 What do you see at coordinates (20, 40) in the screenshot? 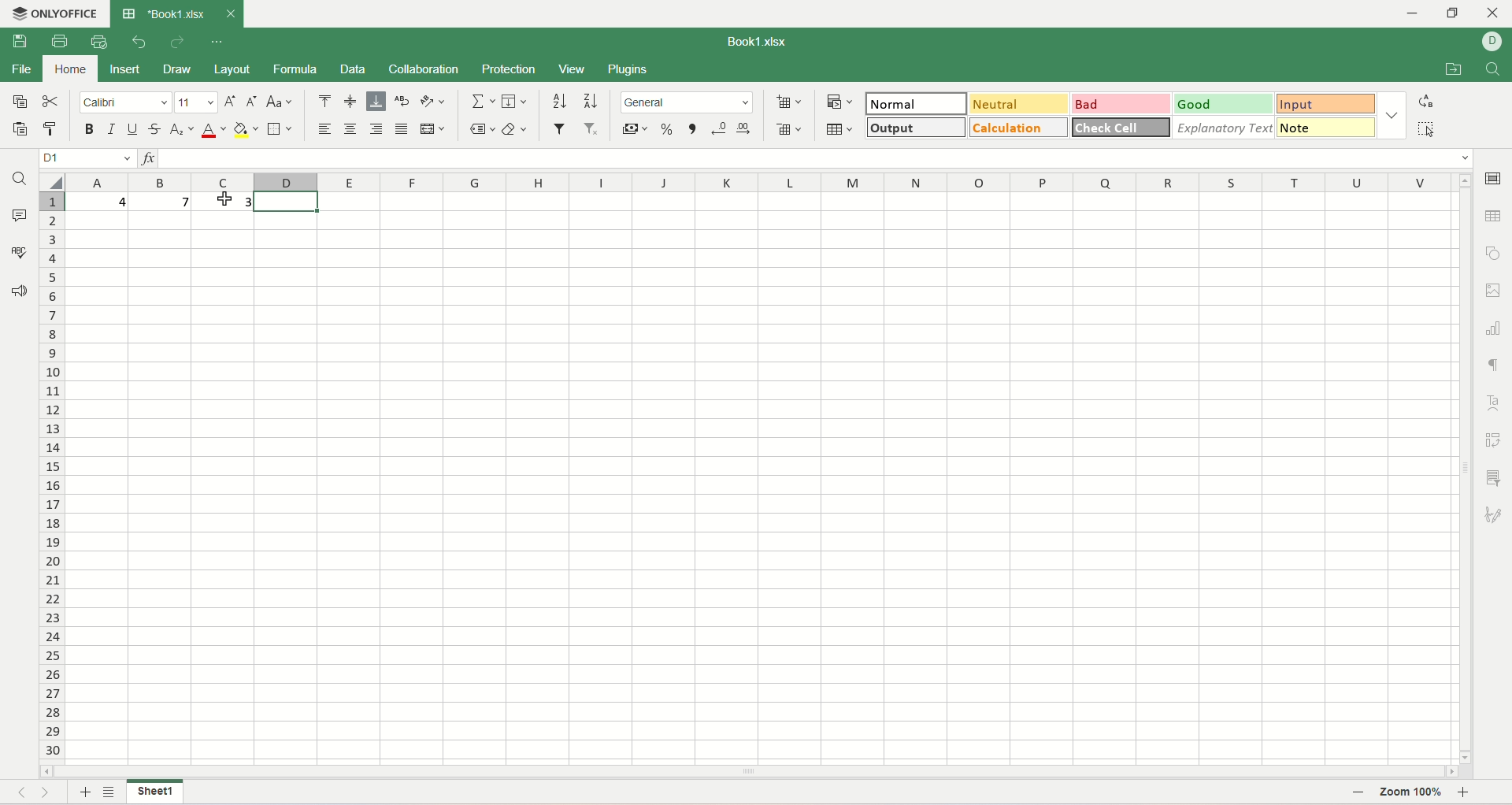
I see `save` at bounding box center [20, 40].